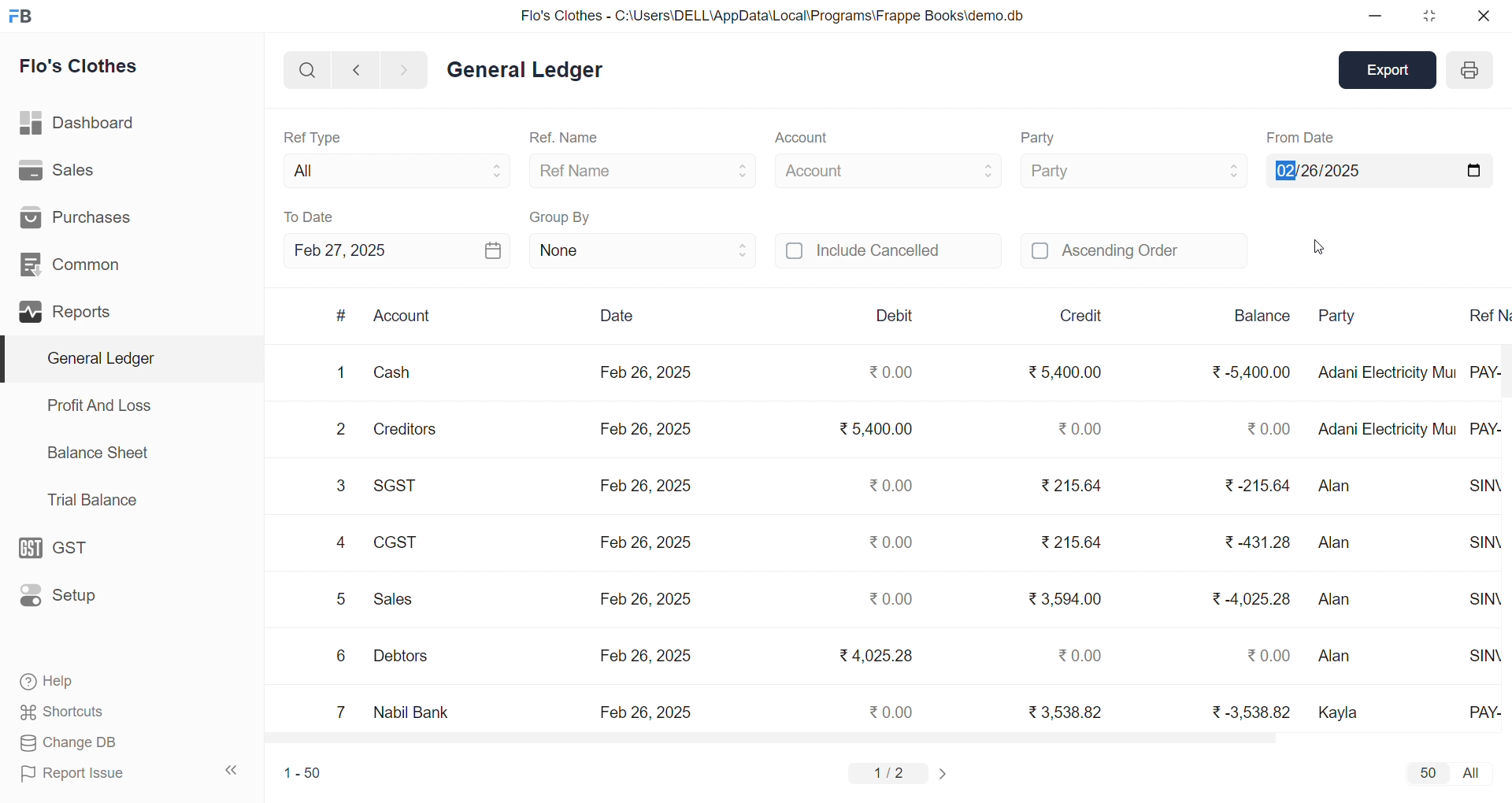  Describe the element at coordinates (1341, 595) in the screenshot. I see `Alan` at that location.